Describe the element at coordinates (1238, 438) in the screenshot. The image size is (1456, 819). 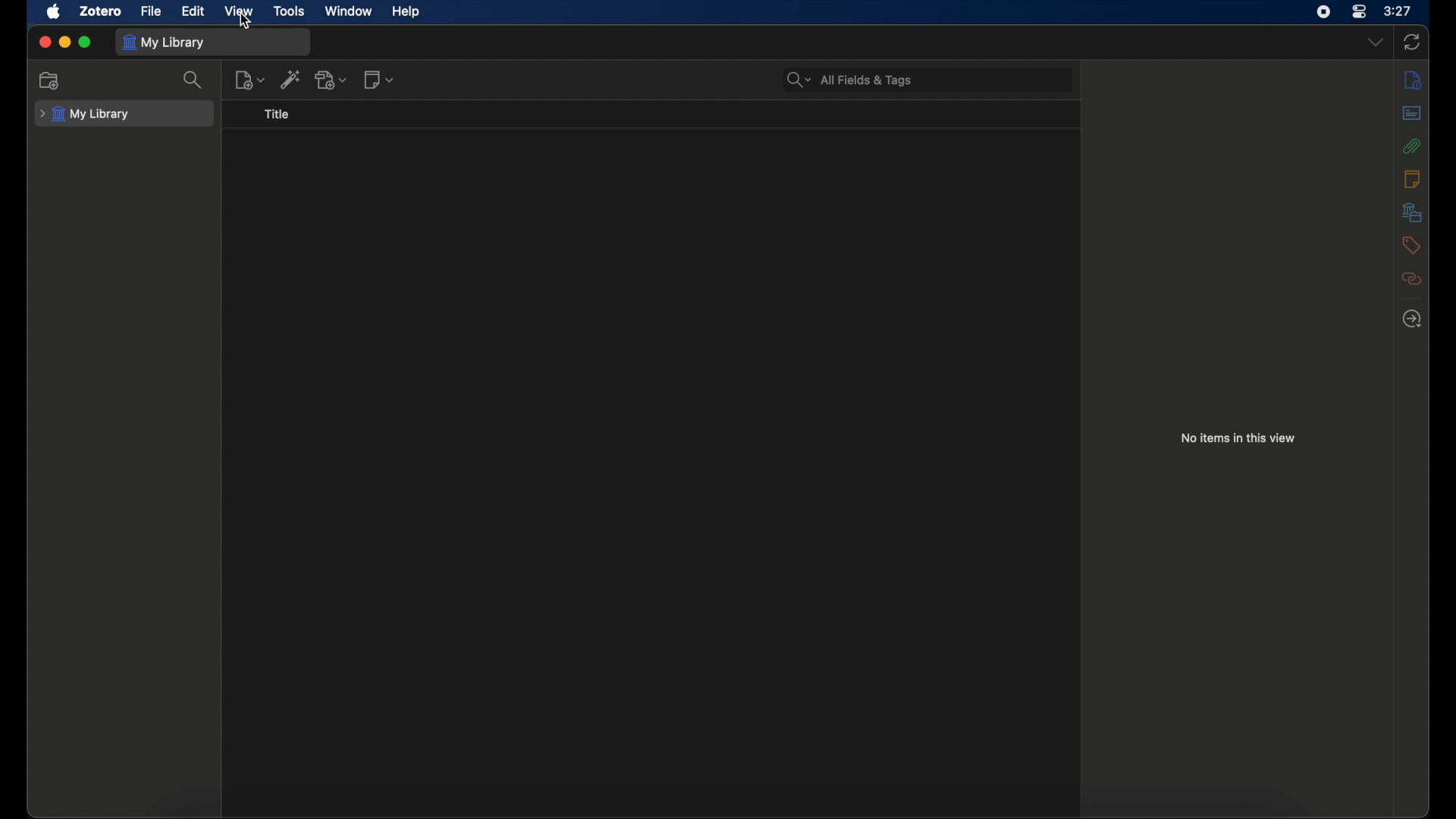
I see `no items in this view` at that location.